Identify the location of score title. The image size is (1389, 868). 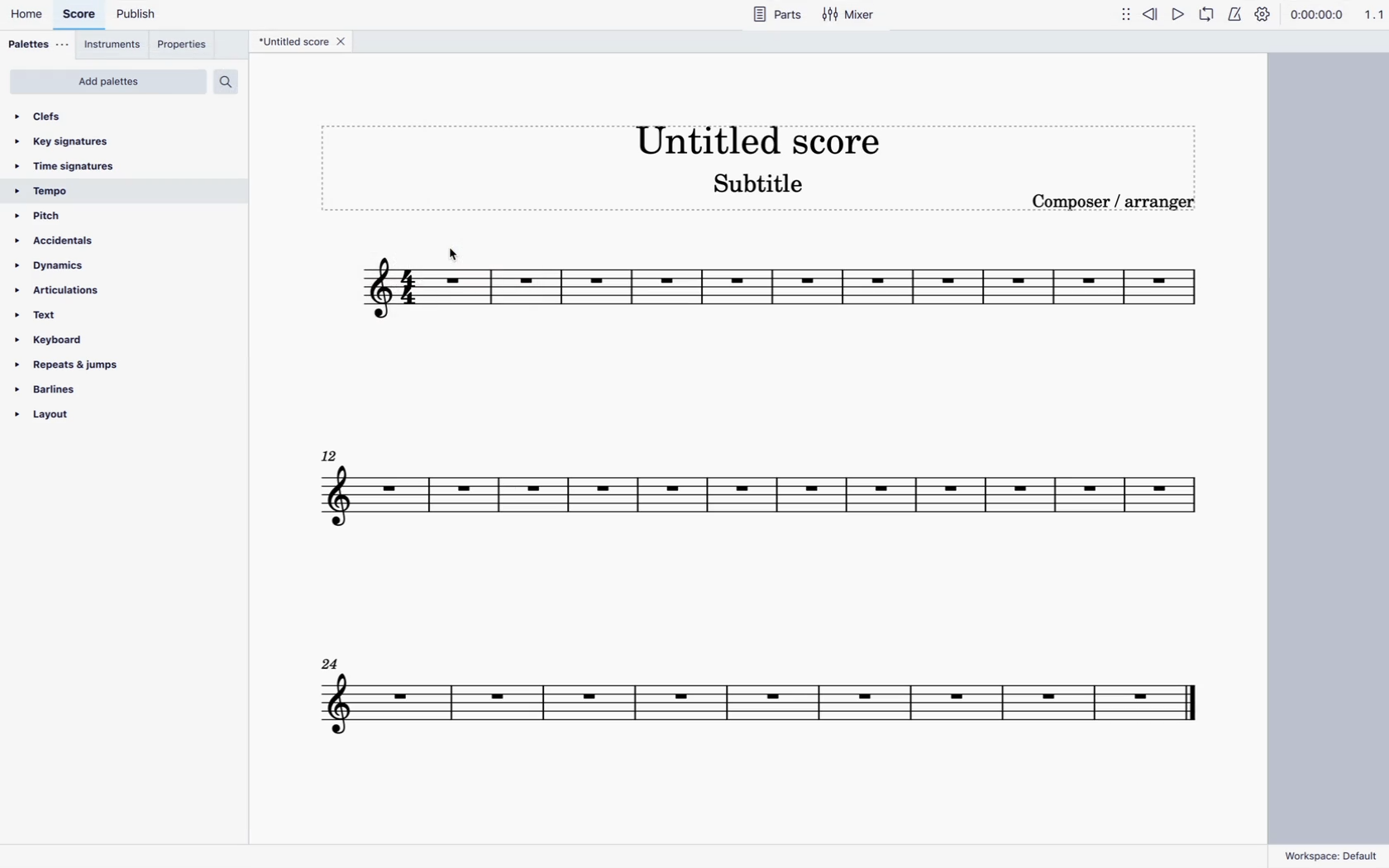
(290, 43).